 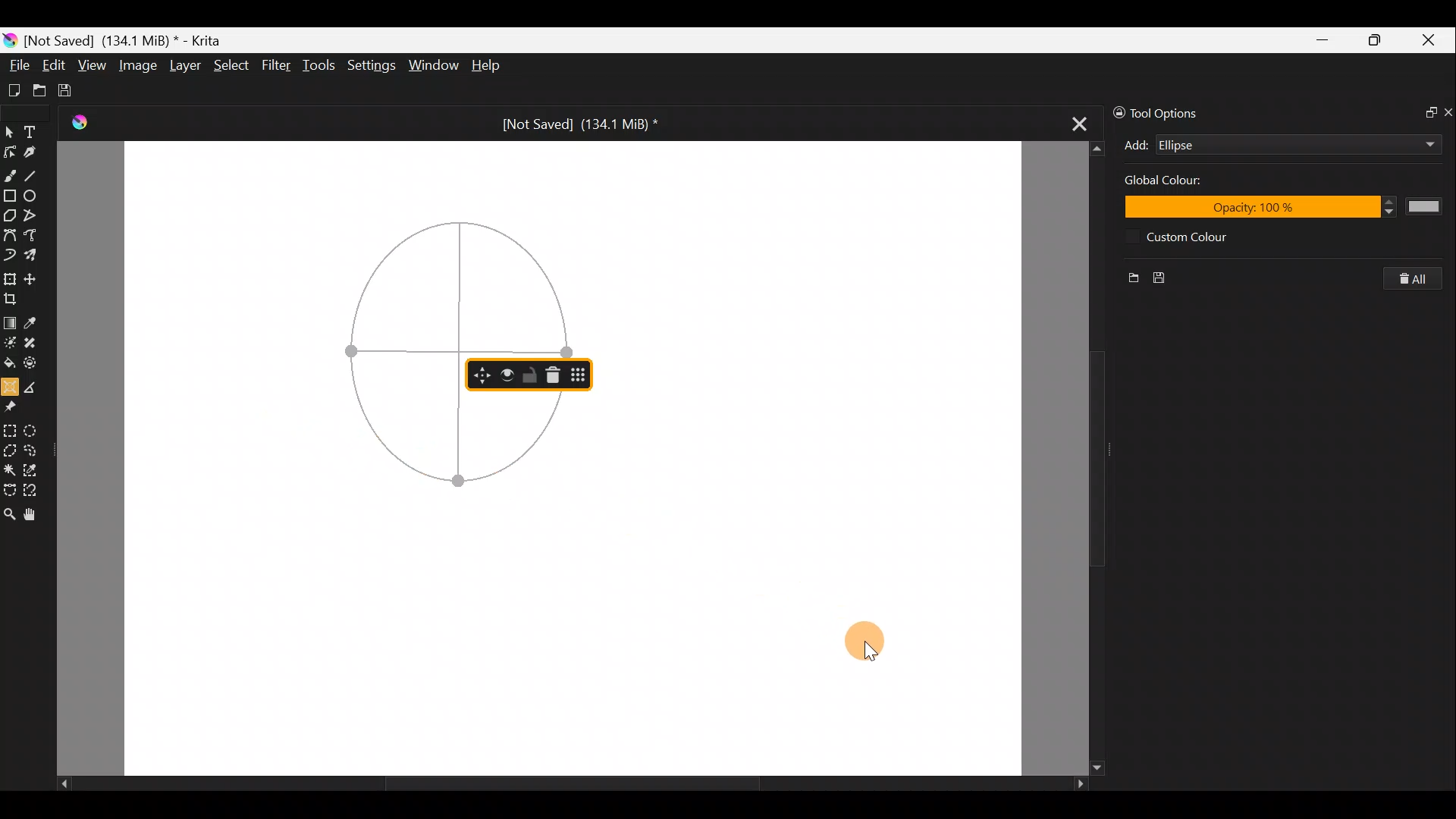 What do you see at coordinates (55, 65) in the screenshot?
I see `Edit` at bounding box center [55, 65].